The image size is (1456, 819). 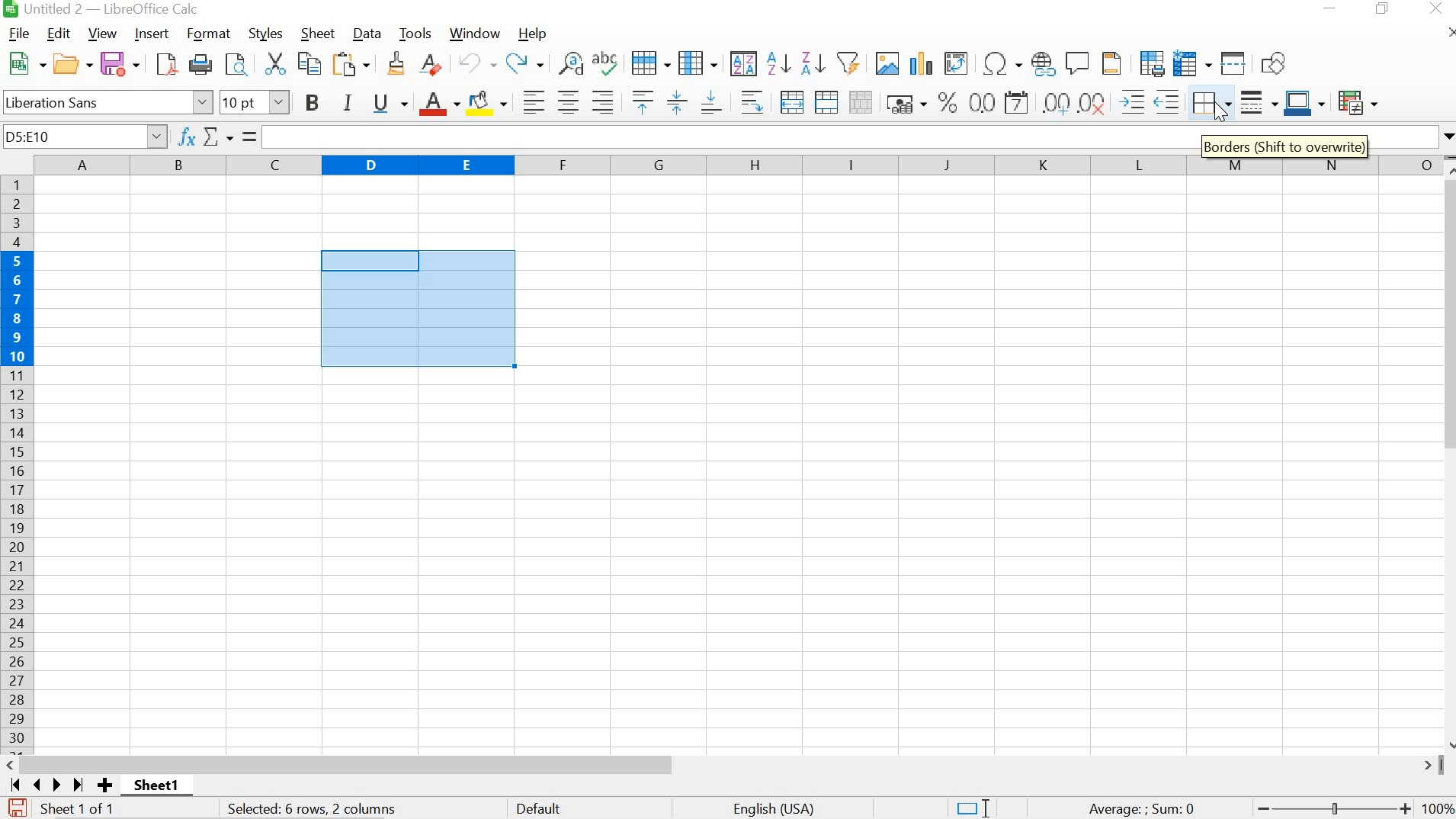 What do you see at coordinates (608, 63) in the screenshot?
I see `SPELLING` at bounding box center [608, 63].